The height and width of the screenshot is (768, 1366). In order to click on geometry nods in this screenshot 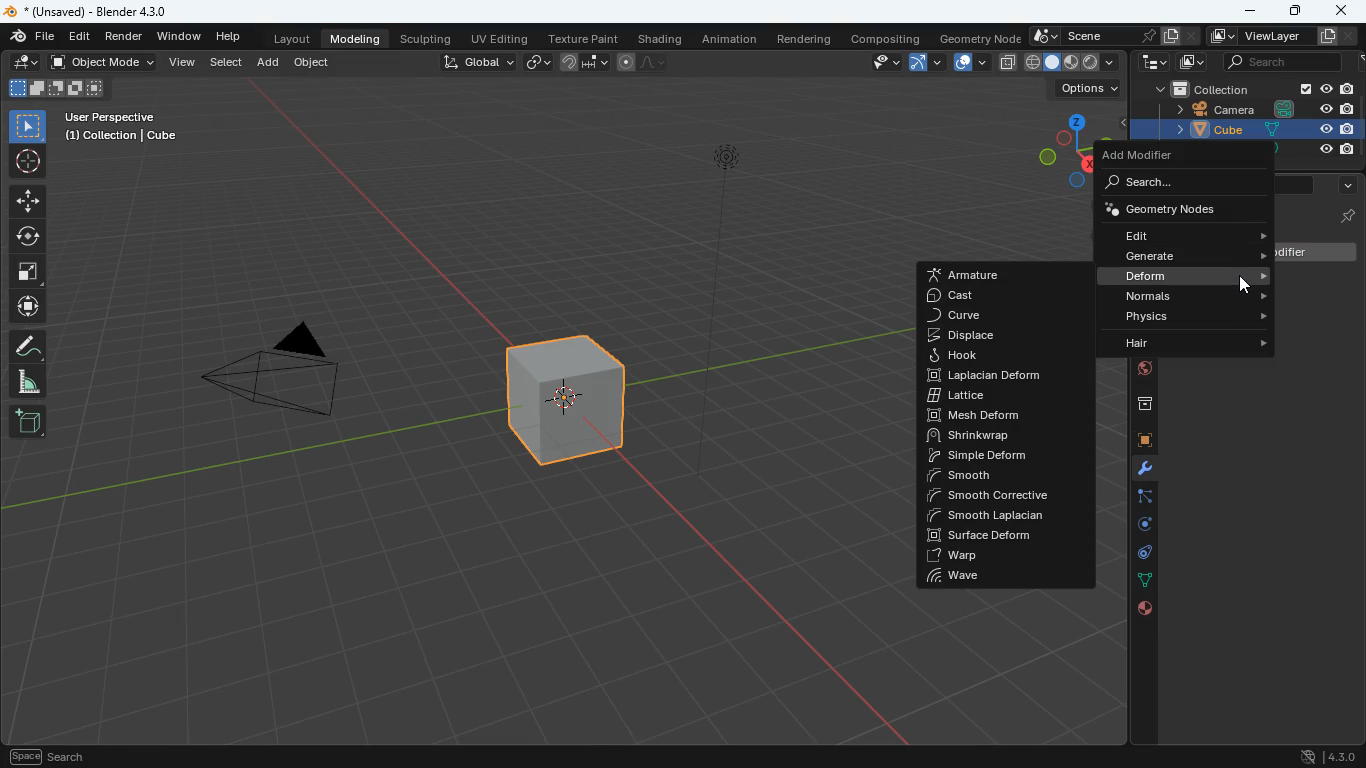, I will do `click(1182, 210)`.